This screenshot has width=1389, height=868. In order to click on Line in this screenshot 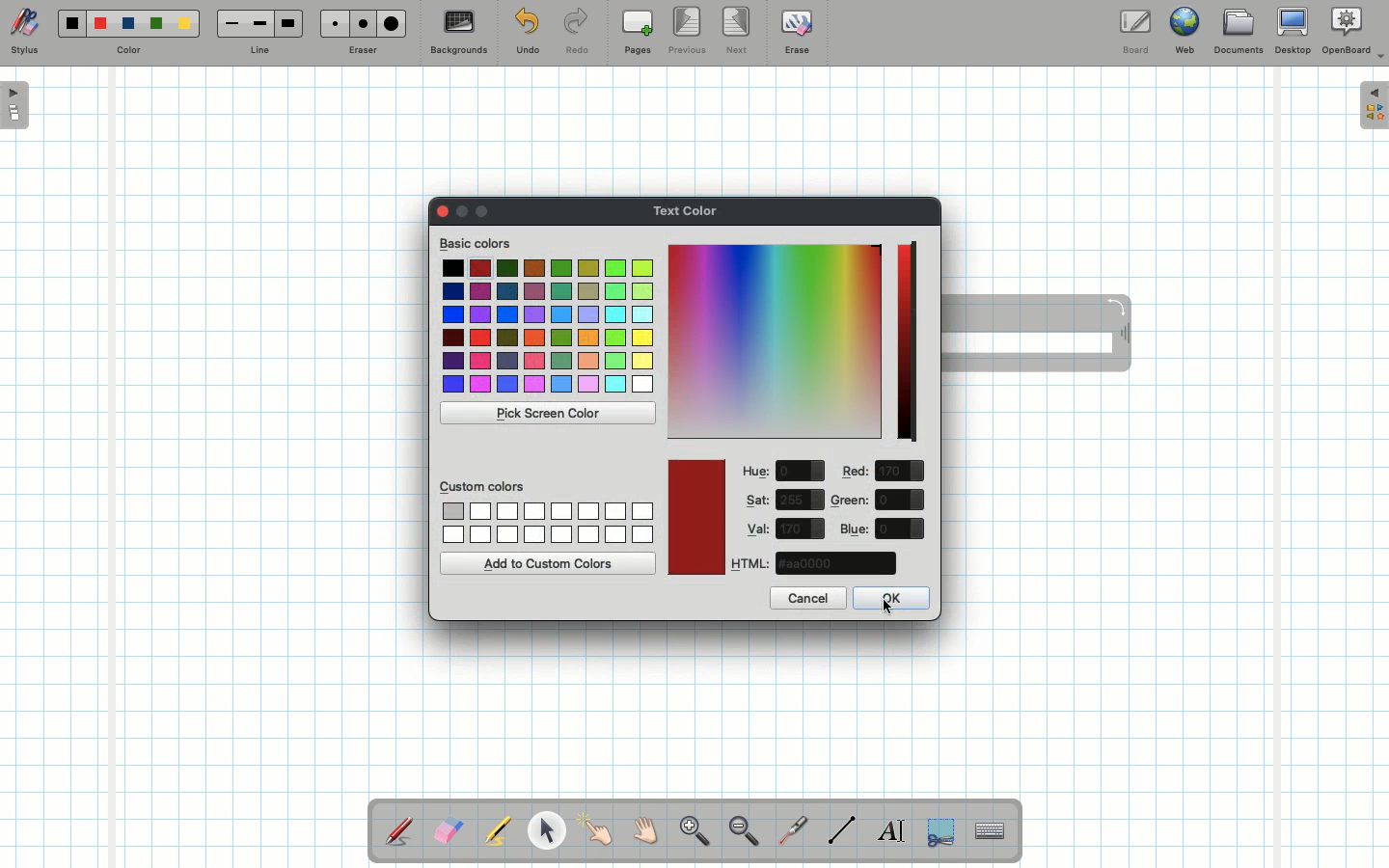, I will do `click(259, 51)`.